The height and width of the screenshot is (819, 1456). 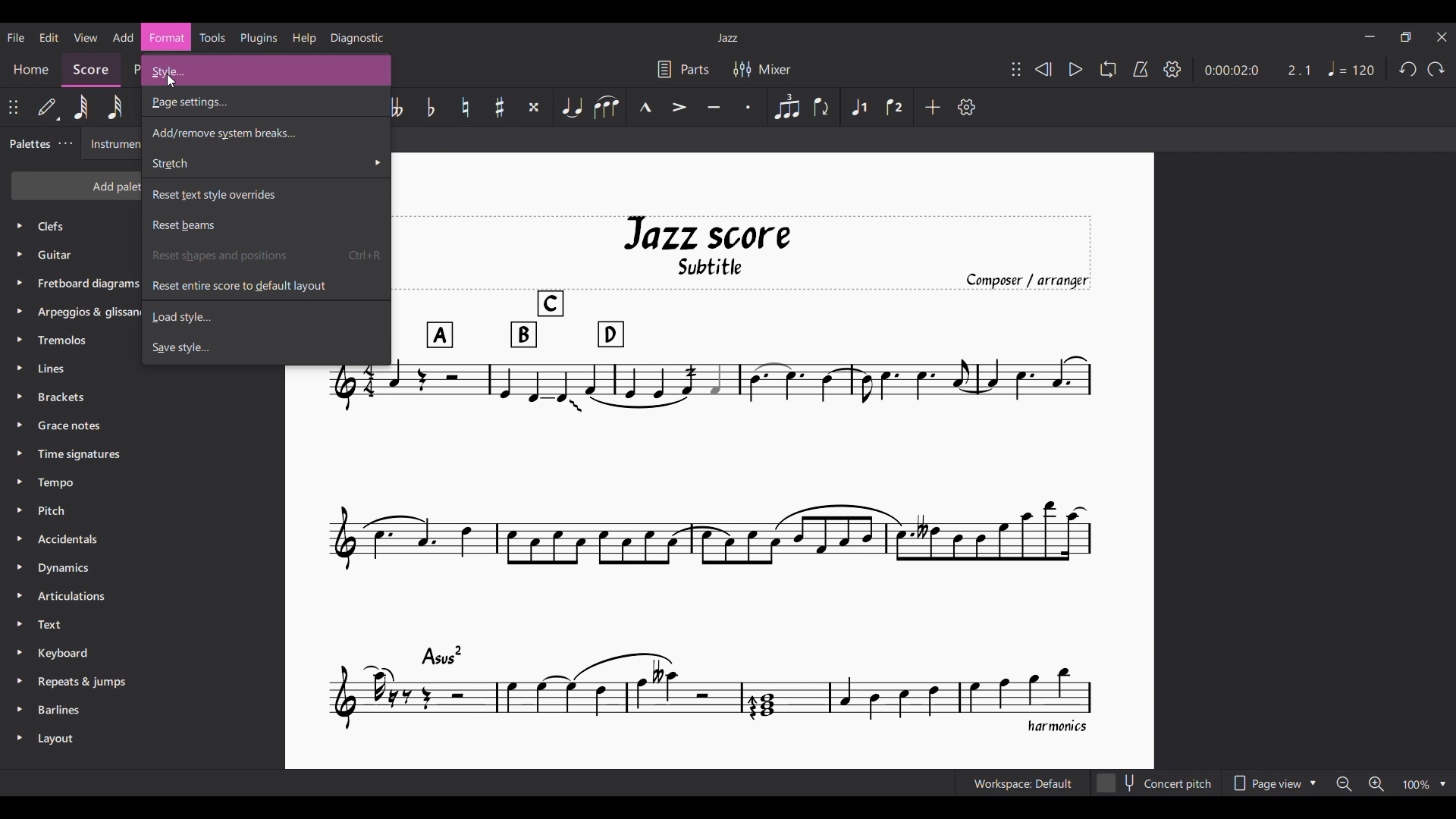 I want to click on Brackets, so click(x=60, y=397).